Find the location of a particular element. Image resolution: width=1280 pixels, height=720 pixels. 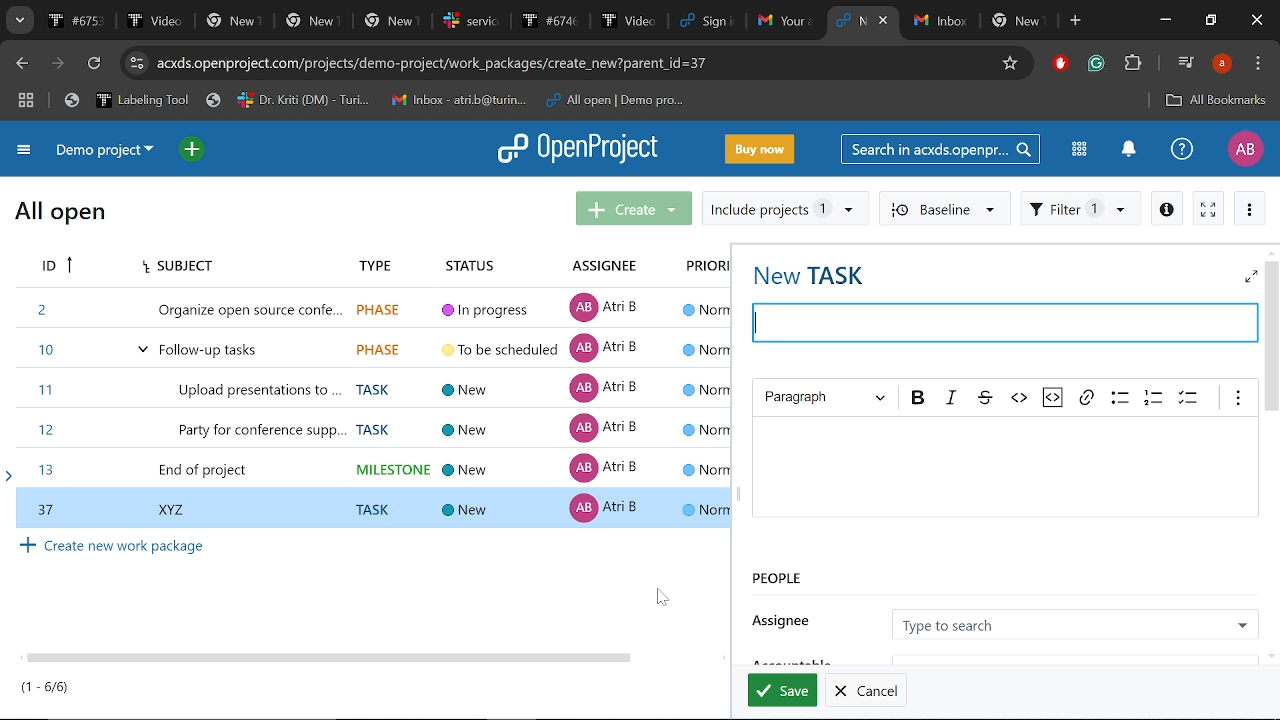

Current project is located at coordinates (110, 151).